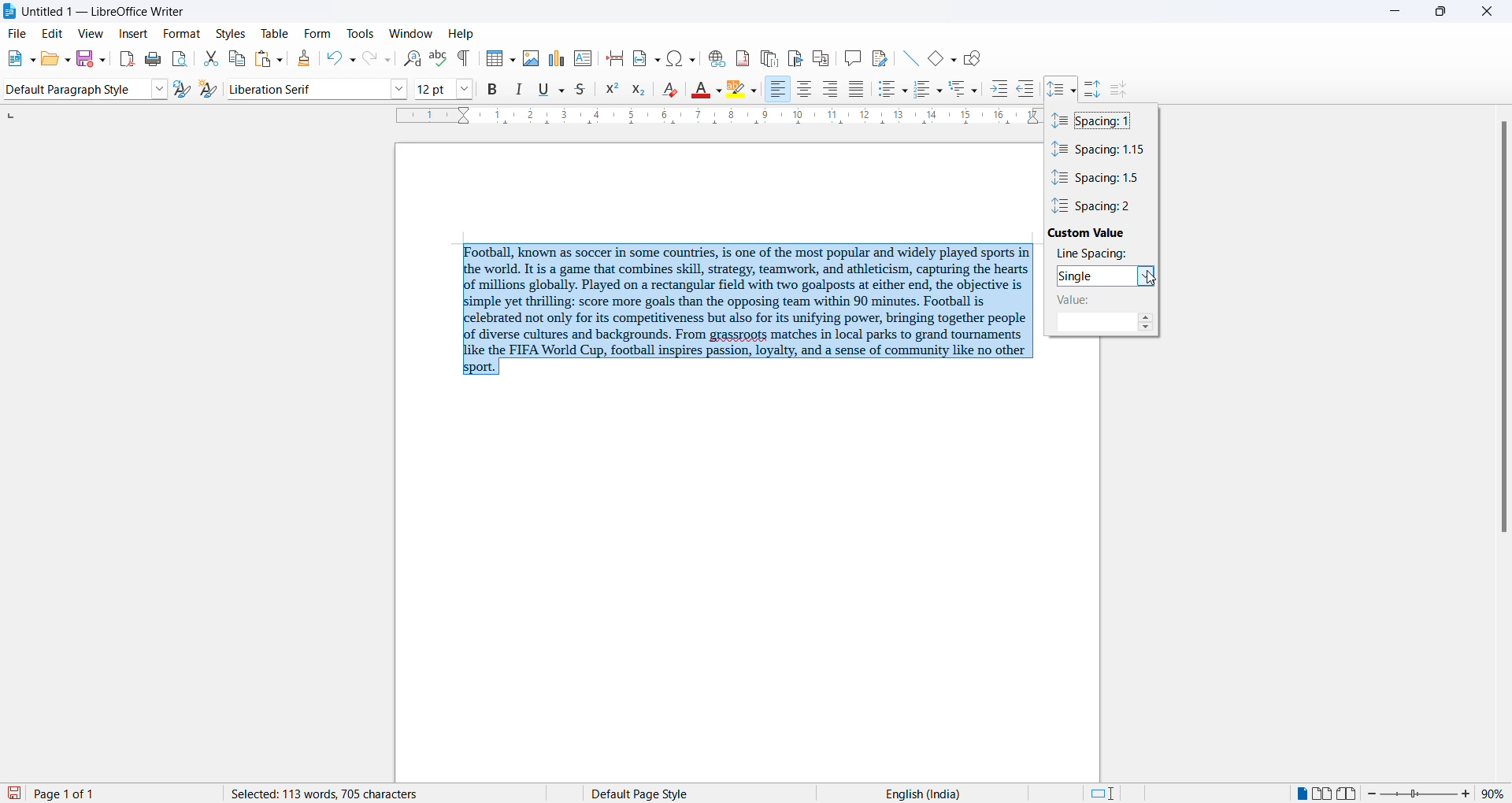 Image resolution: width=1512 pixels, height=803 pixels. What do you see at coordinates (379, 59) in the screenshot?
I see `redo` at bounding box center [379, 59].